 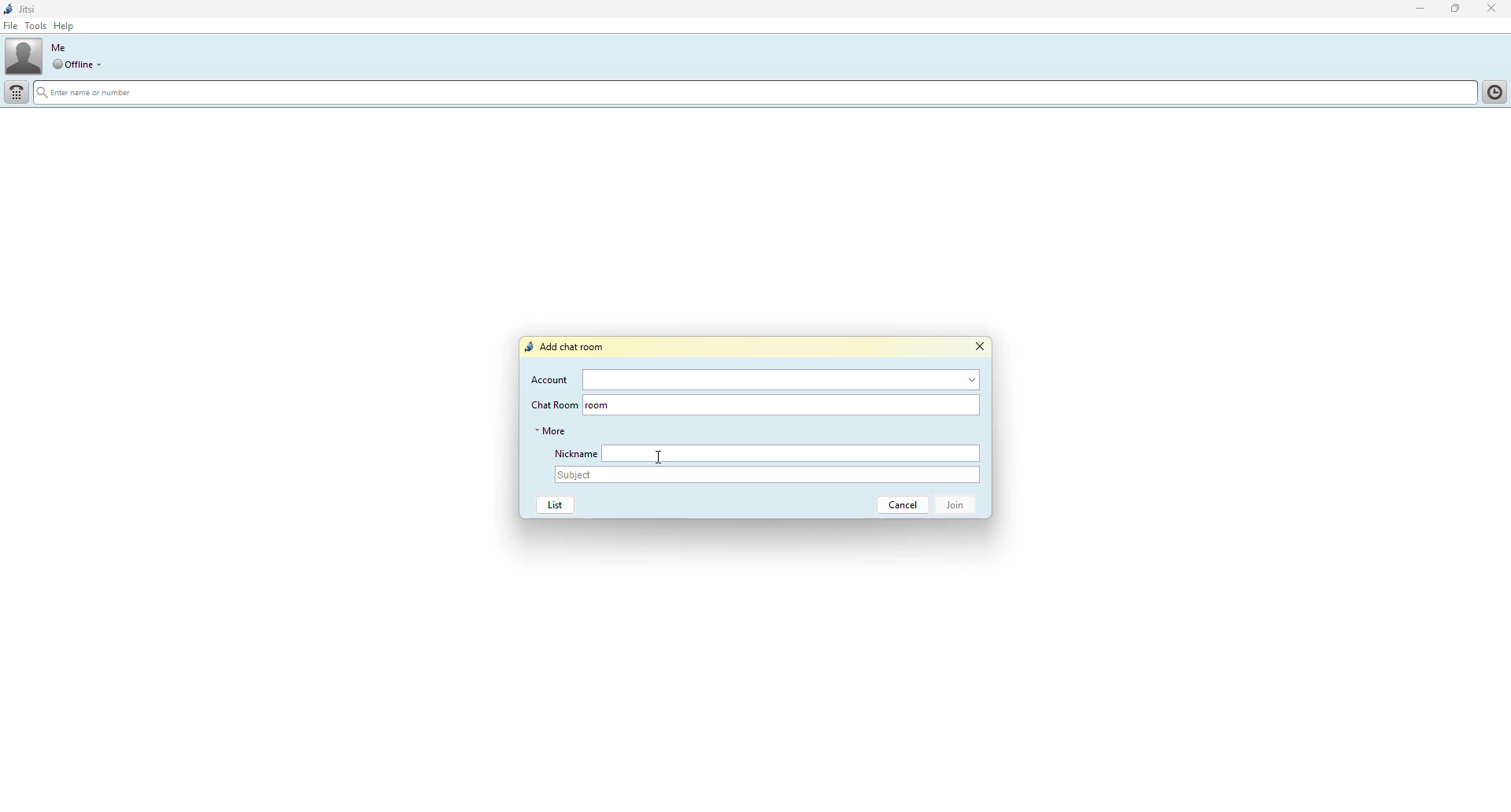 I want to click on add chat room, so click(x=567, y=347).